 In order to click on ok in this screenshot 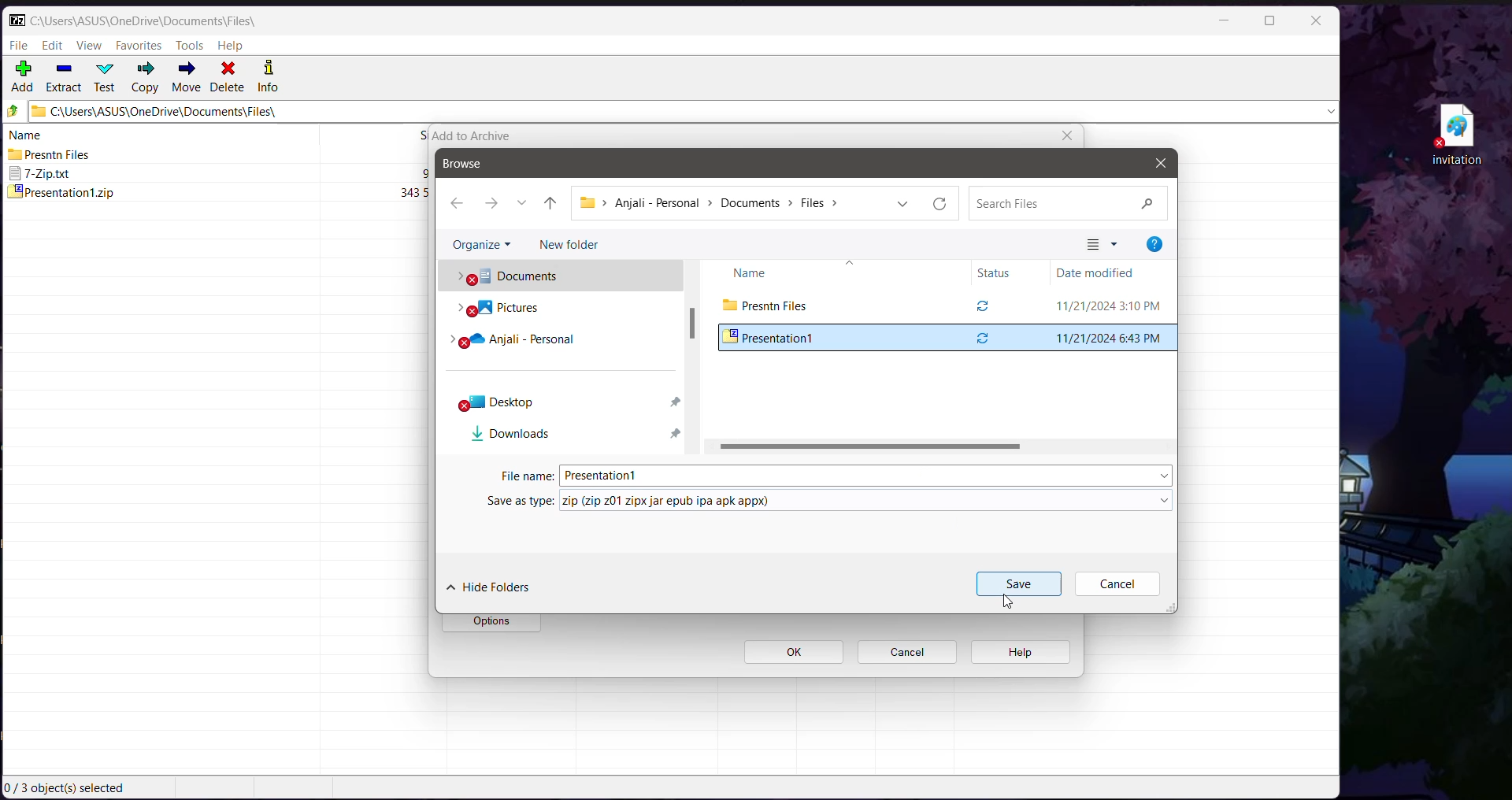, I will do `click(792, 652)`.